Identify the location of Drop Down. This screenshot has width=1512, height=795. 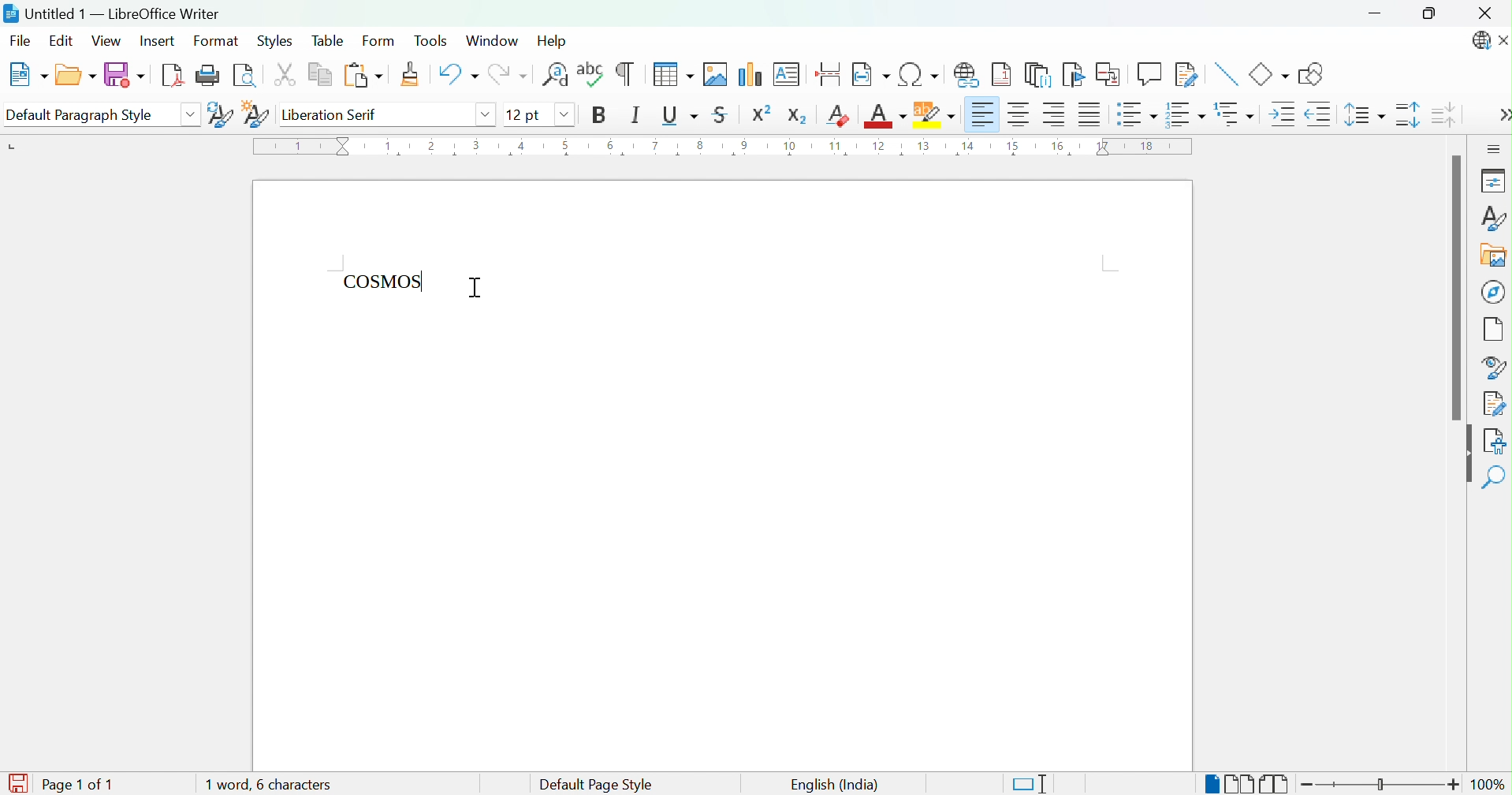
(191, 114).